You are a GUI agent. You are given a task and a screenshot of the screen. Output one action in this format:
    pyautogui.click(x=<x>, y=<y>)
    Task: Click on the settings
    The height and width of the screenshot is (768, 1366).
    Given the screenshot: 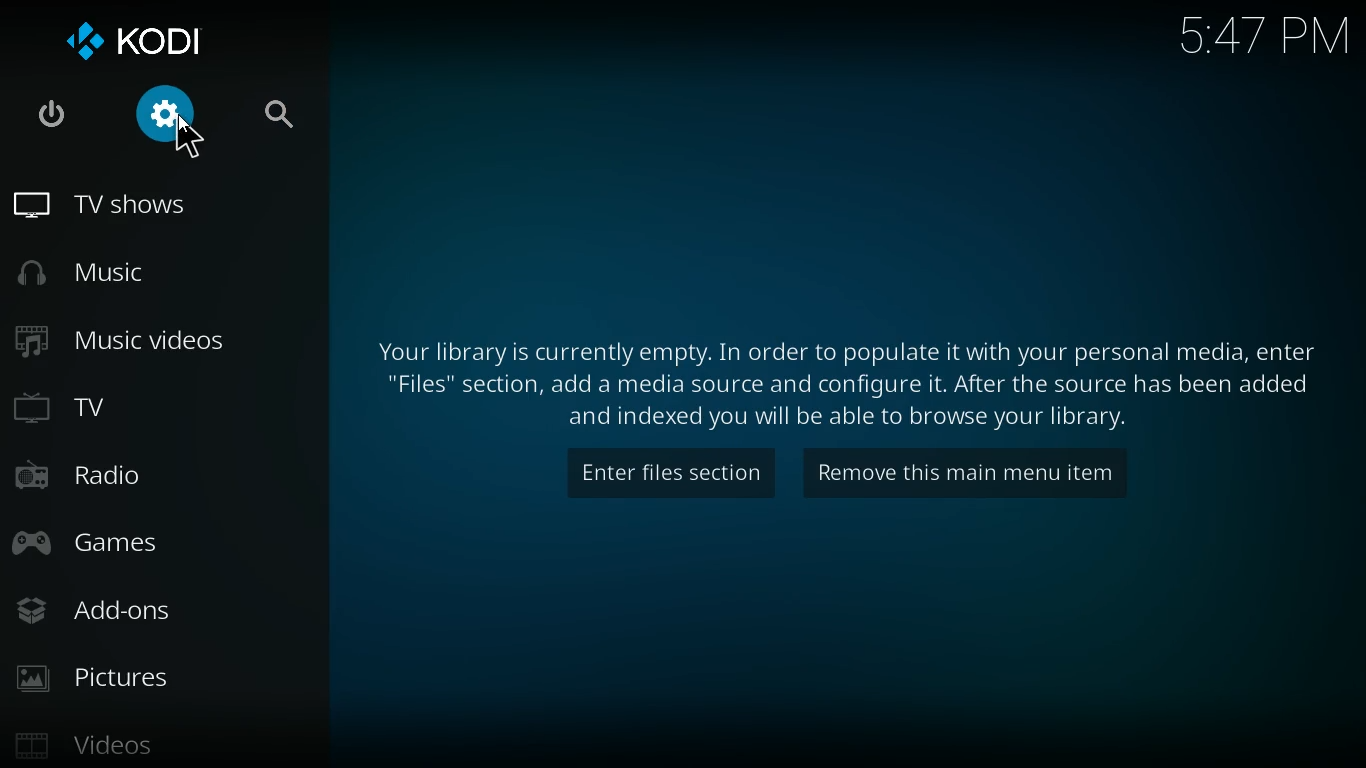 What is the action you would take?
    pyautogui.click(x=172, y=118)
    